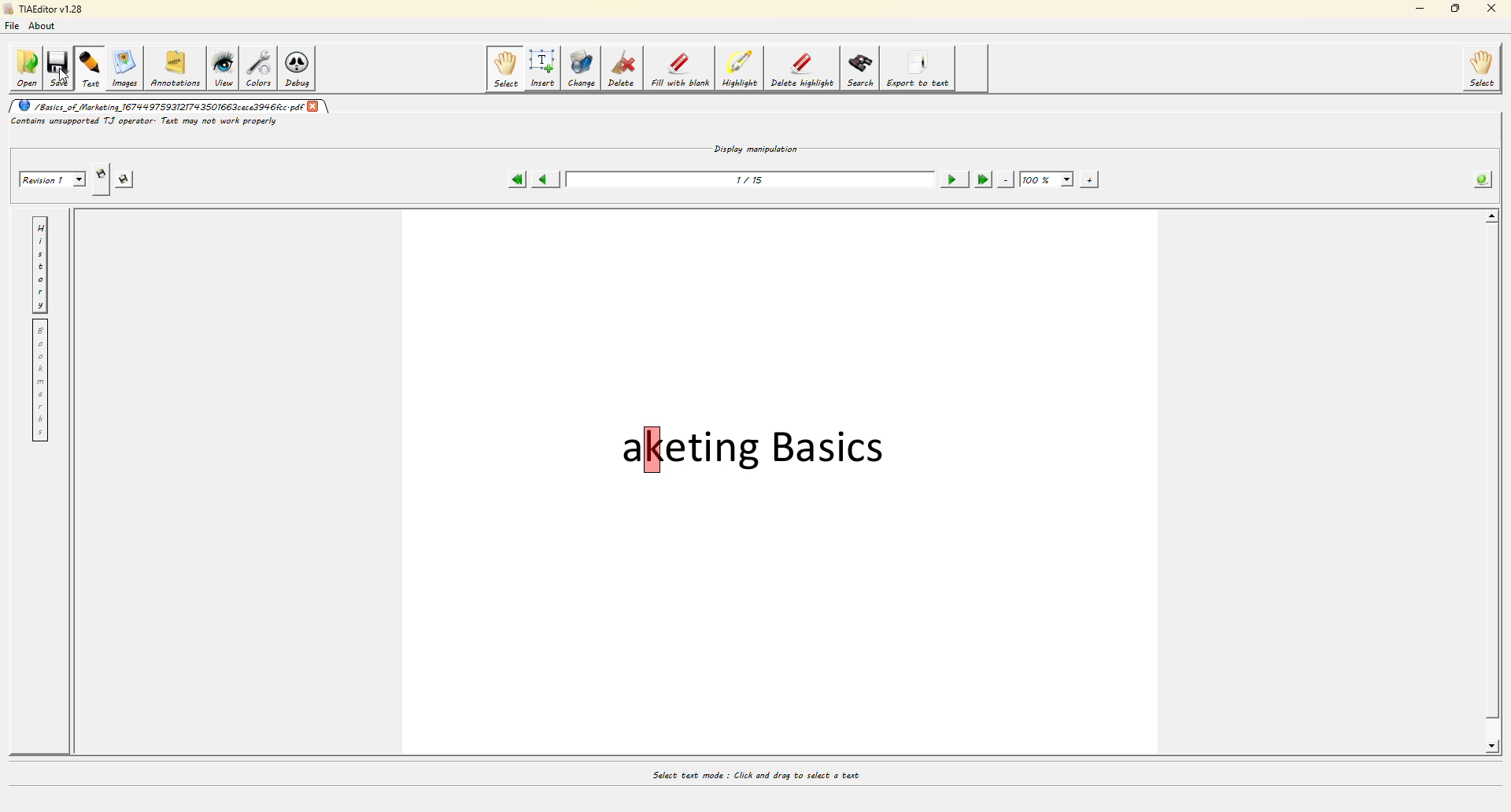  I want to click on zoom out, so click(1007, 177).